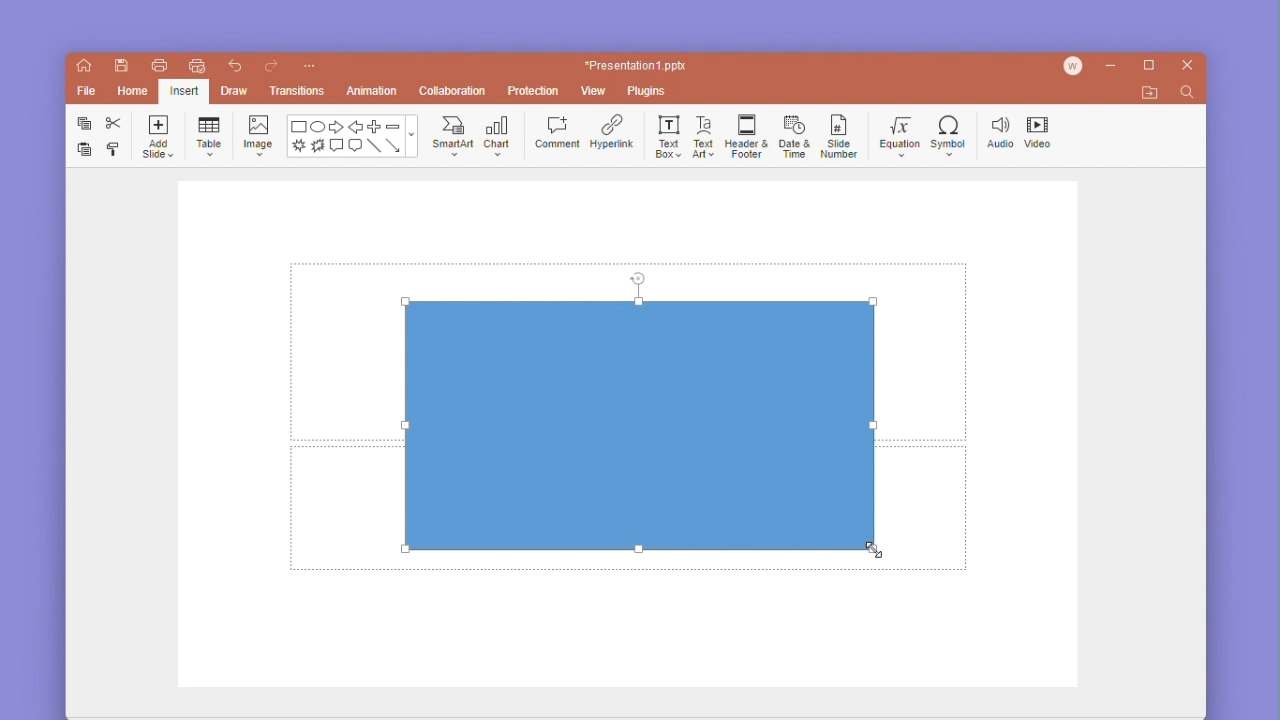 The image size is (1280, 720). I want to click on chat, so click(500, 134).